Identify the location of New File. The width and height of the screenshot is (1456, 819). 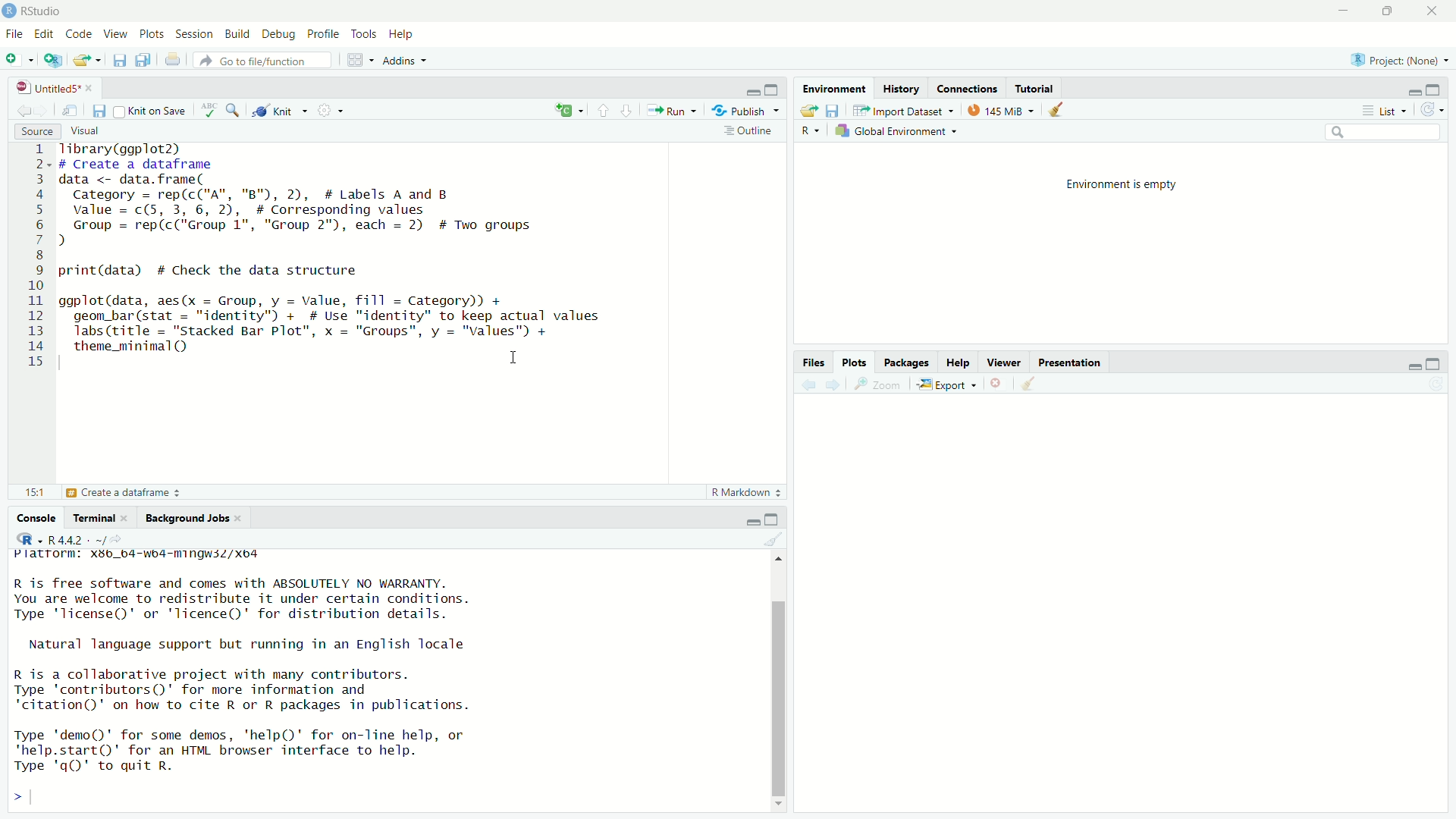
(21, 60).